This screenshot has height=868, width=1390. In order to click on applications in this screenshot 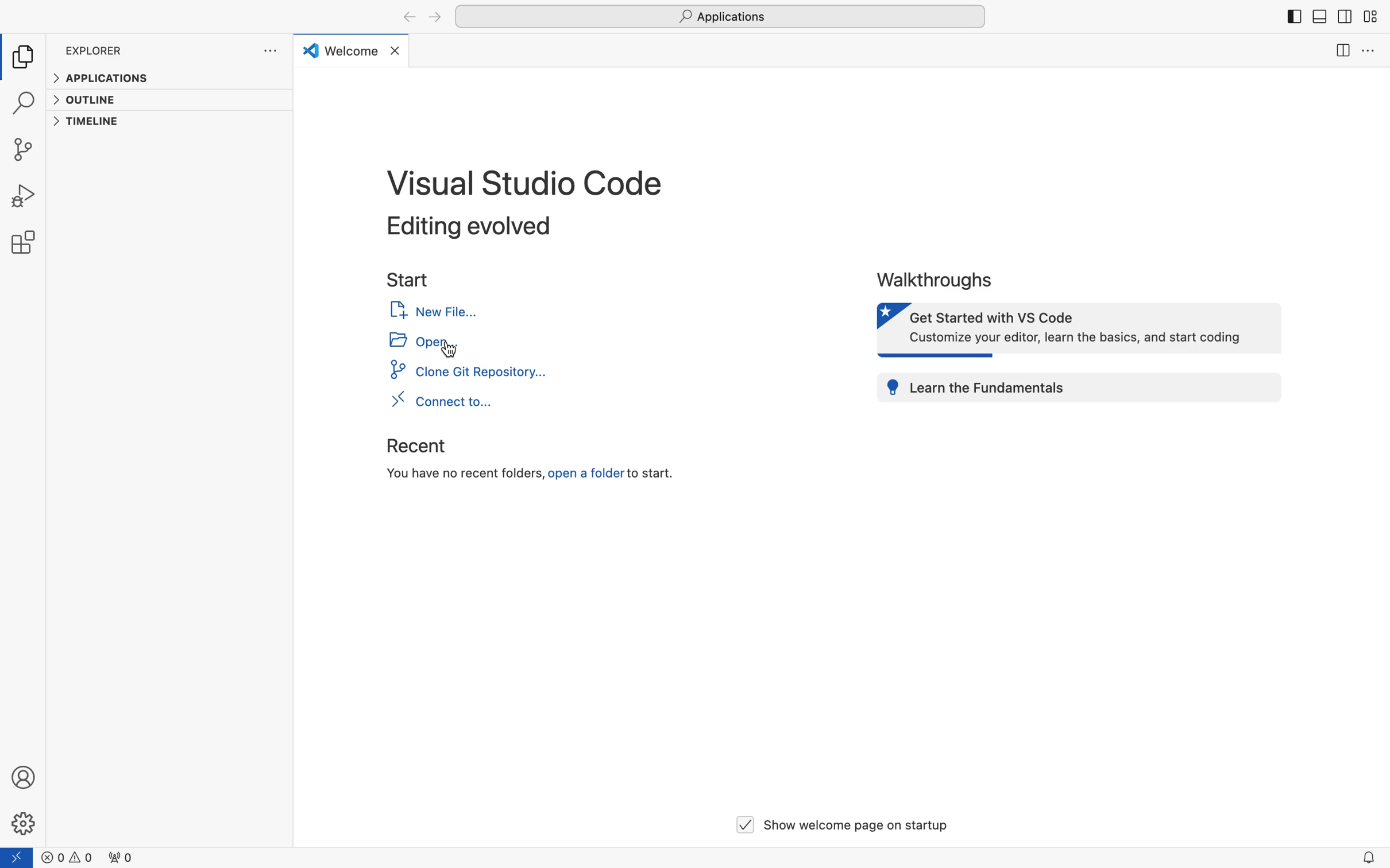, I will do `click(104, 79)`.